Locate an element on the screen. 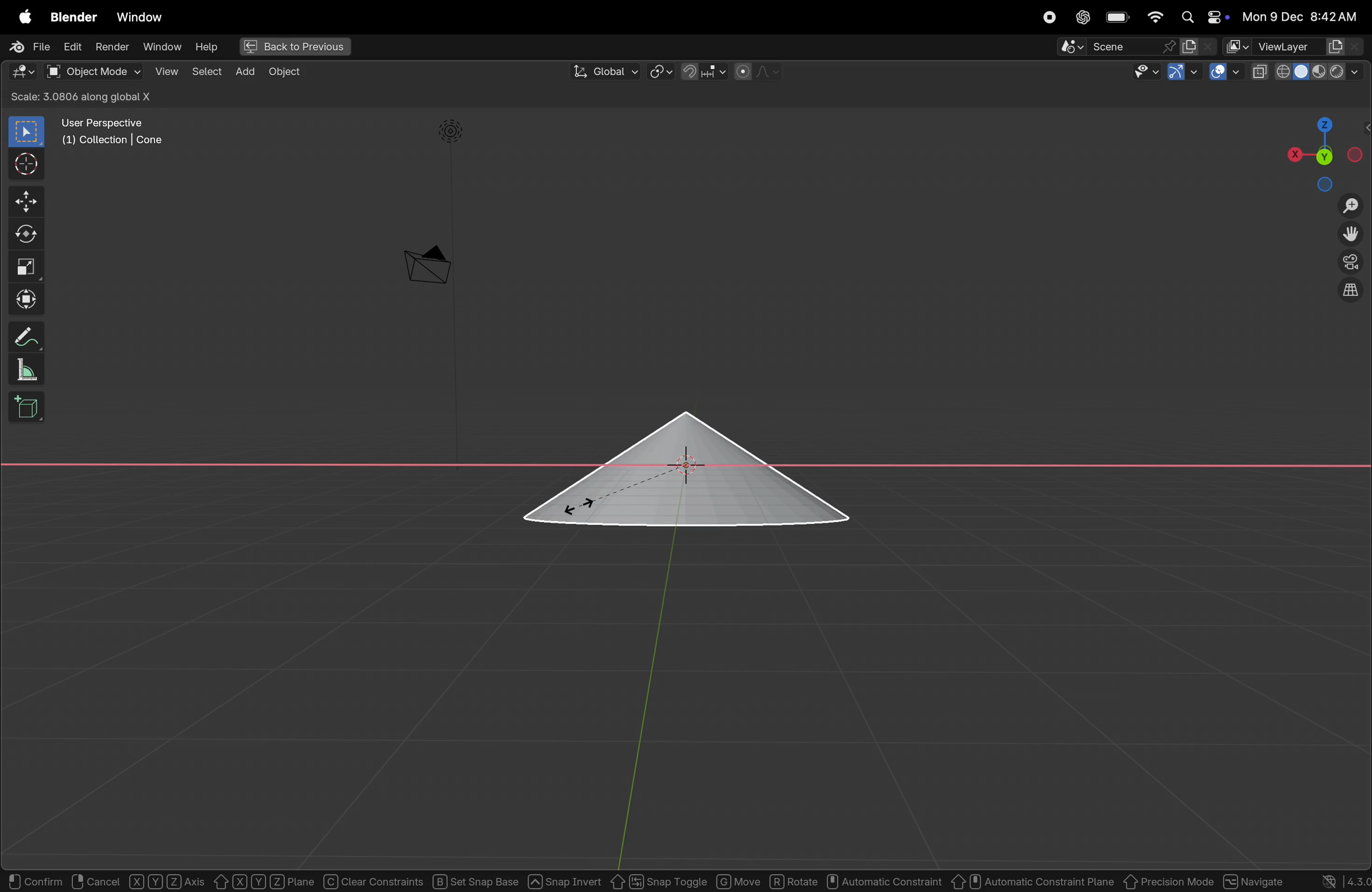 The width and height of the screenshot is (1372, 892). confirm is located at coordinates (33, 882).